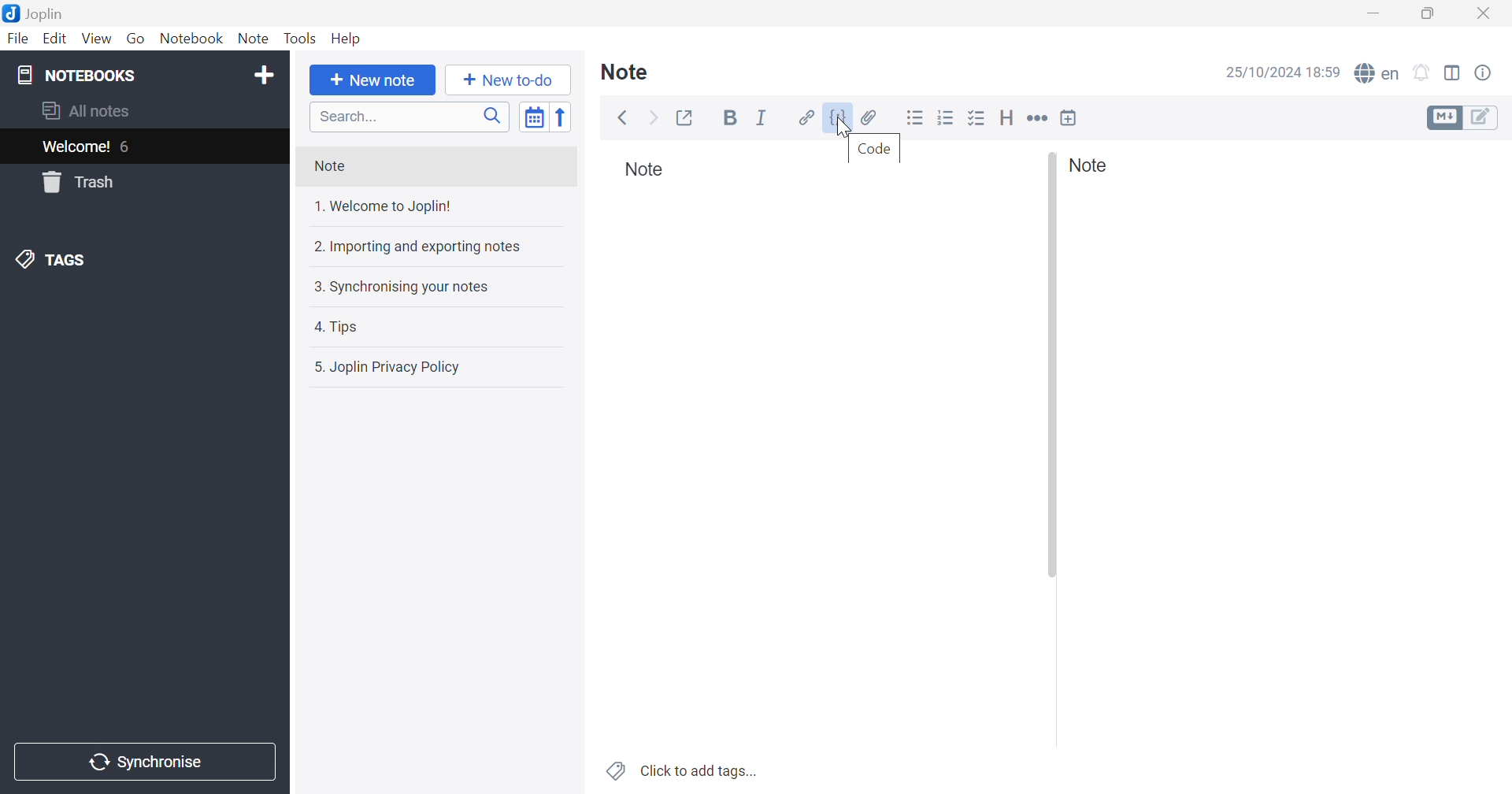 This screenshot has width=1512, height=794. What do you see at coordinates (407, 287) in the screenshot?
I see `3. Synchronising your notes` at bounding box center [407, 287].